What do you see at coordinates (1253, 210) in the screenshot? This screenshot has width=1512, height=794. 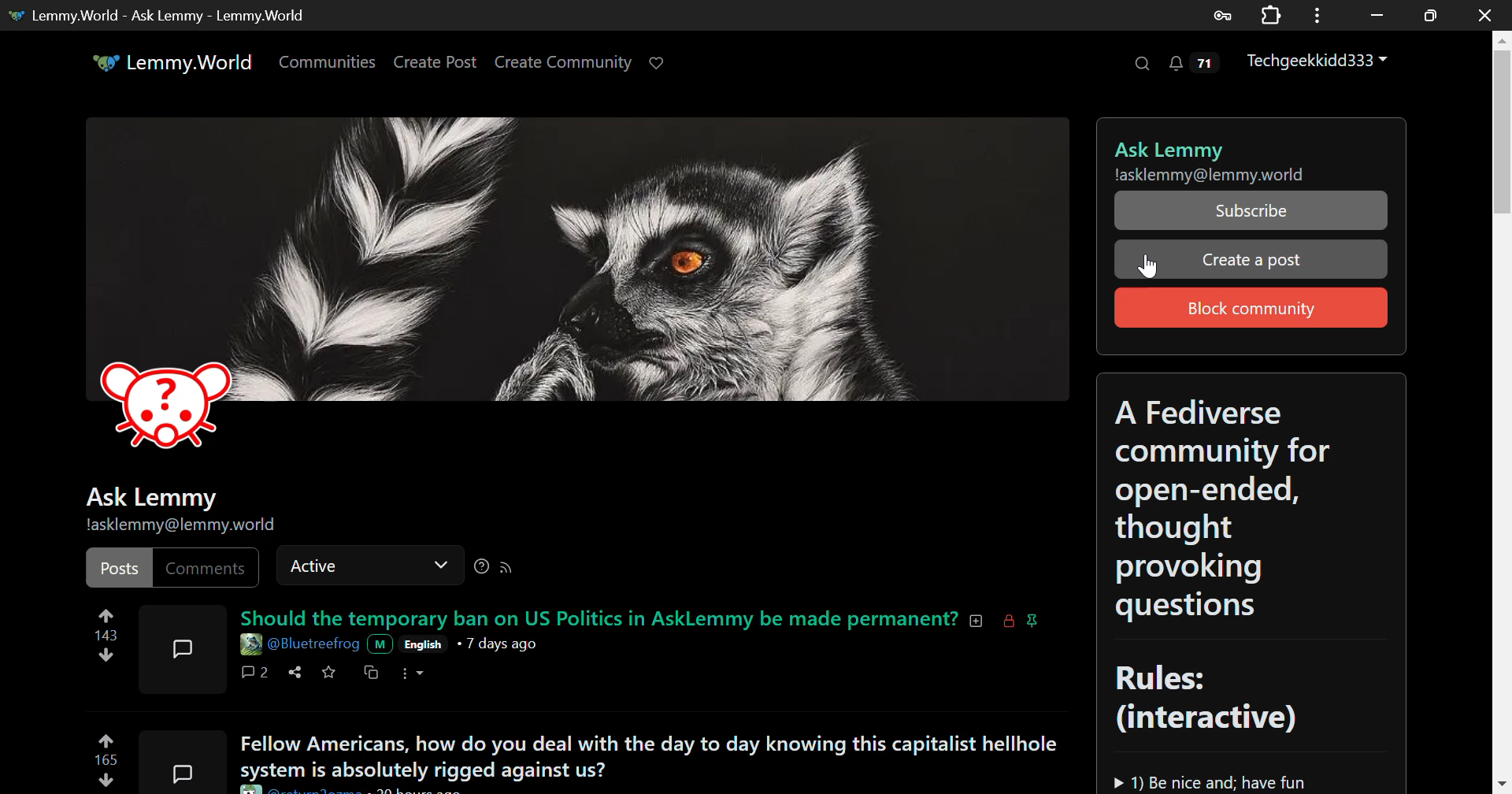 I see `Subscribe` at bounding box center [1253, 210].